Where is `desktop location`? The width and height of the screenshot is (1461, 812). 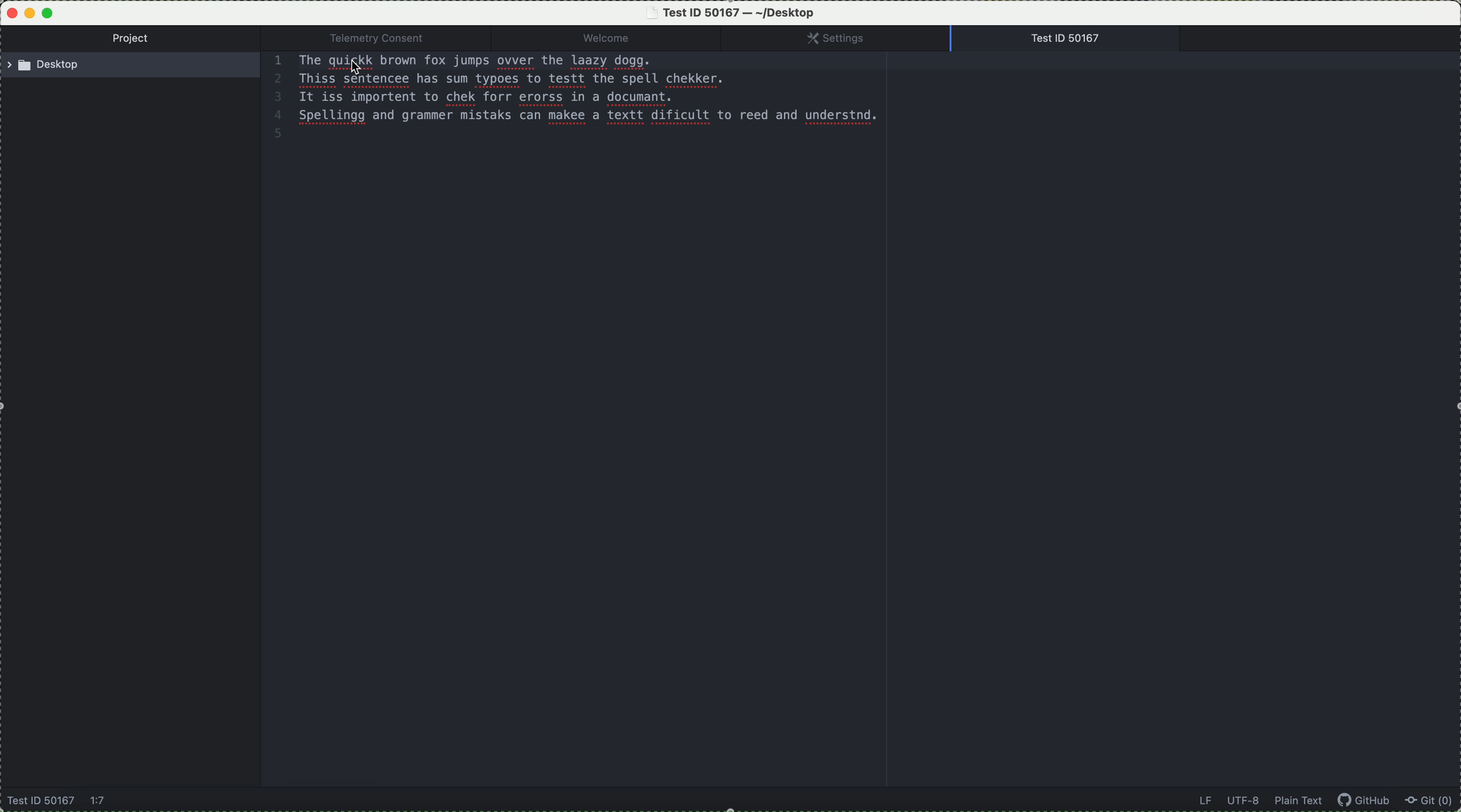 desktop location is located at coordinates (134, 67).